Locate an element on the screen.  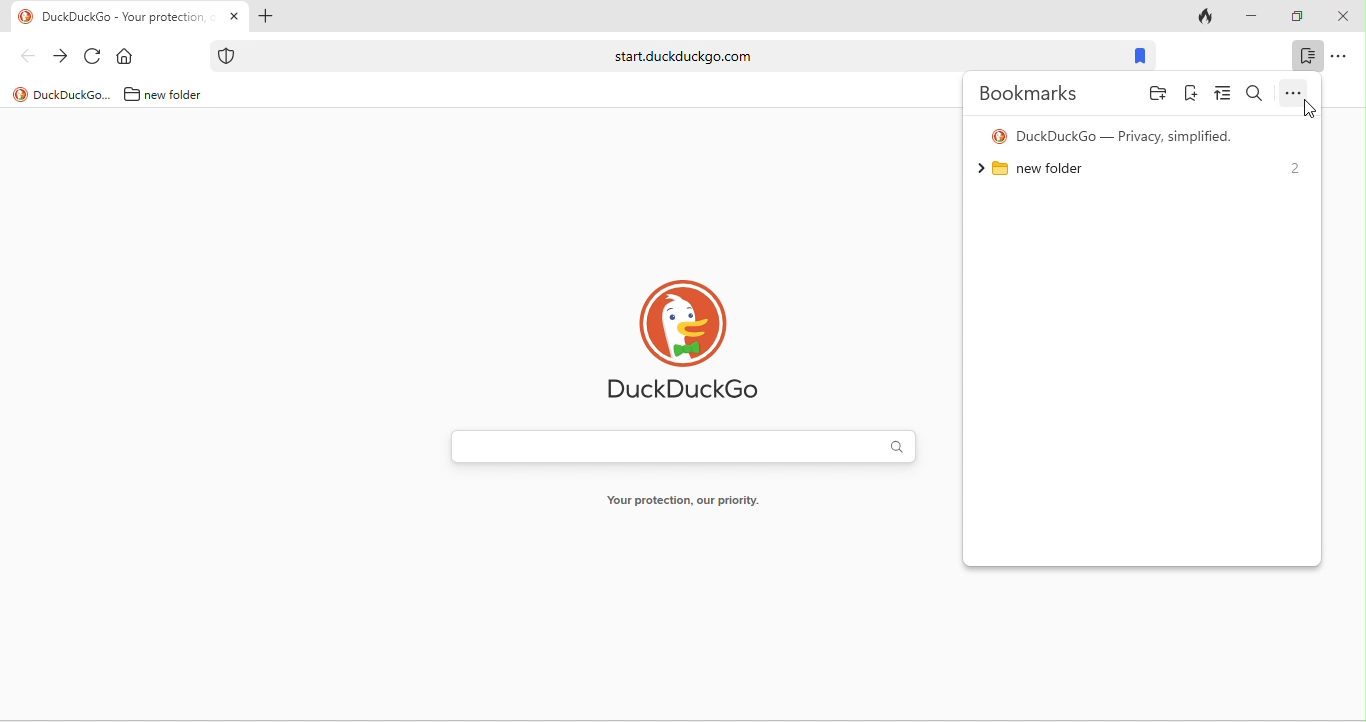
weblink is located at coordinates (665, 56).